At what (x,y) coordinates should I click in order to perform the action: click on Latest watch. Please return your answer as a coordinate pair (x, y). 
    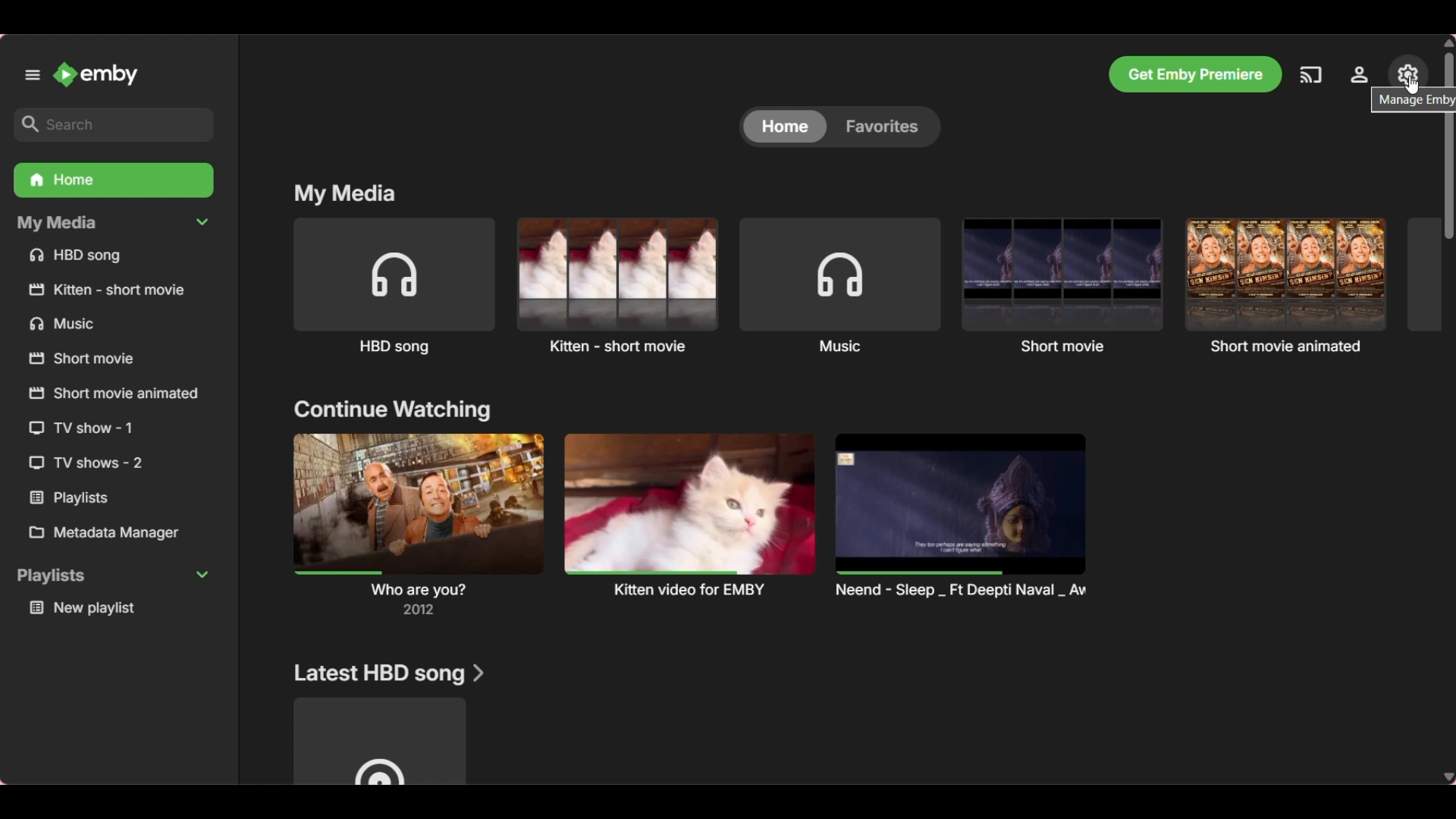
    Looking at the image, I should click on (690, 517).